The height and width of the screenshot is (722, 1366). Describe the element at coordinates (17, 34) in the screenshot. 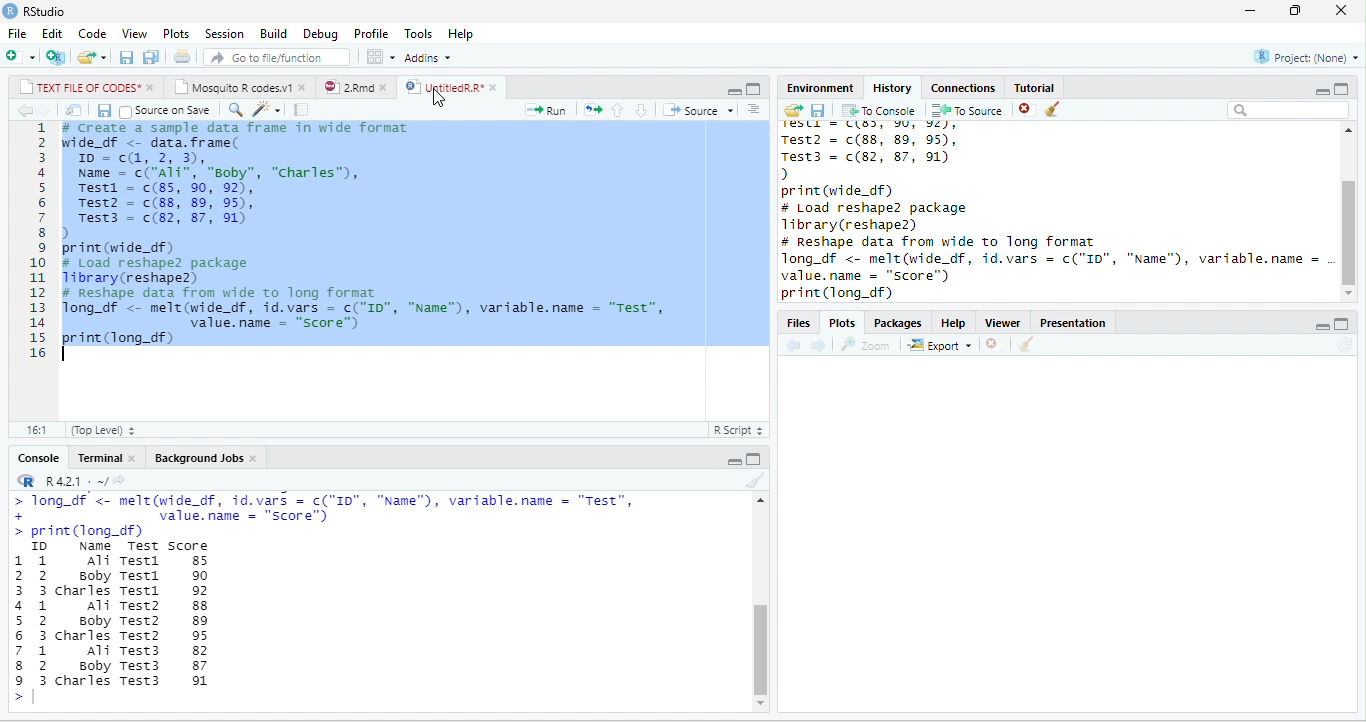

I see `File` at that location.